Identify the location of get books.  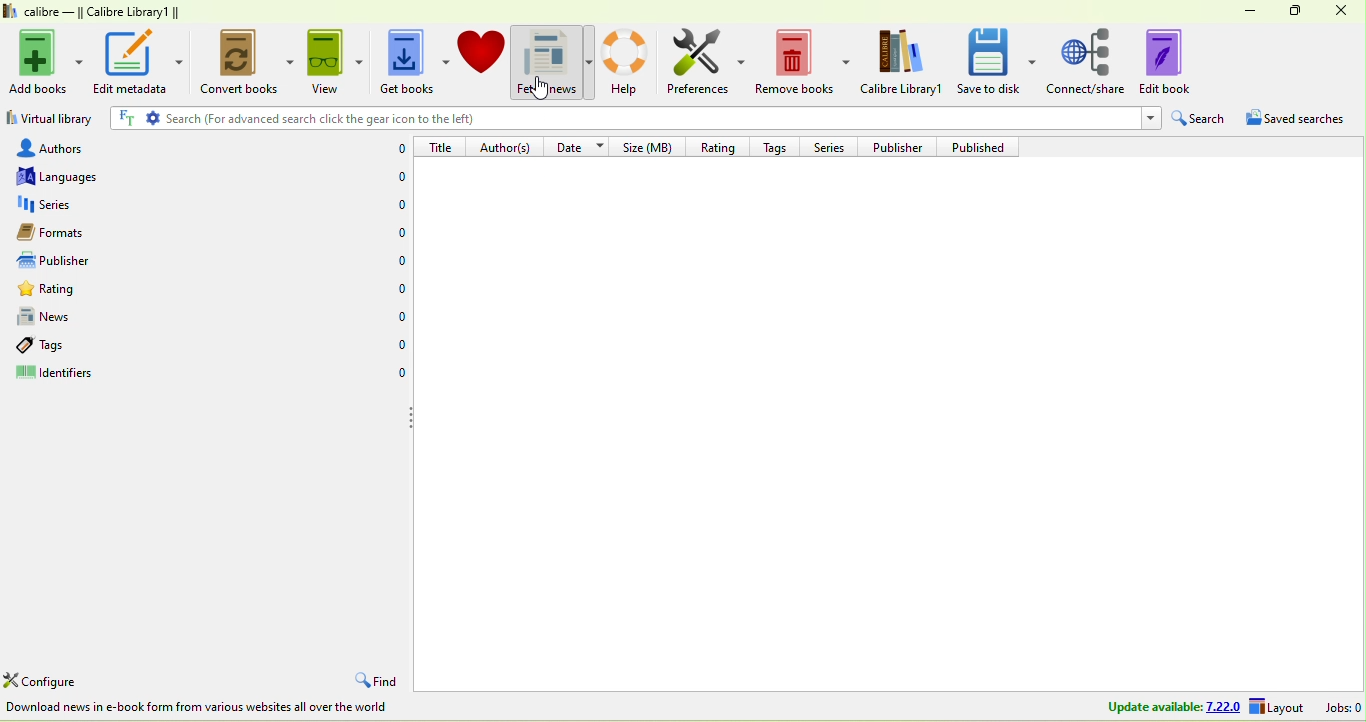
(405, 62).